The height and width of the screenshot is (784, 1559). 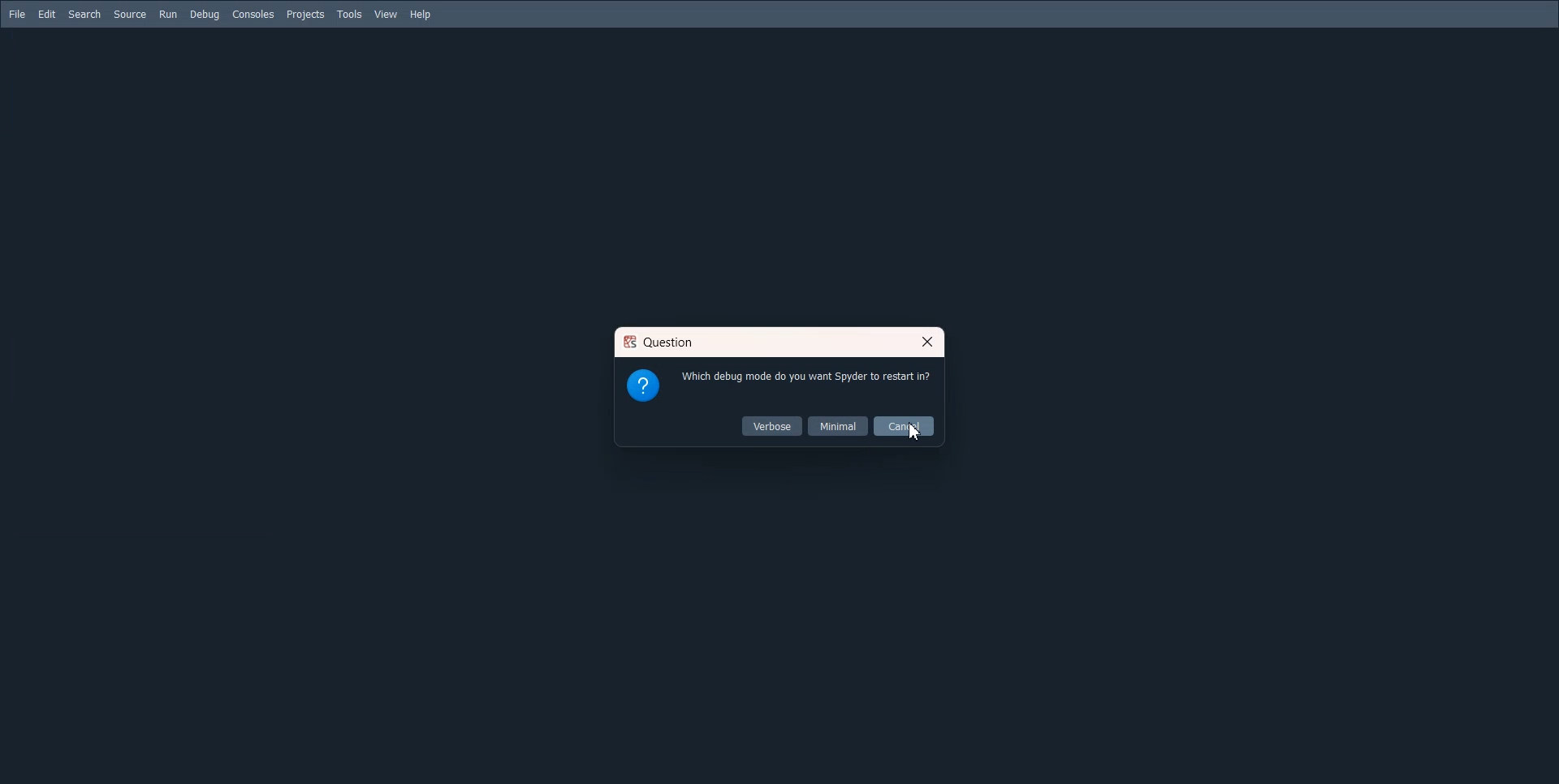 I want to click on Question, so click(x=672, y=342).